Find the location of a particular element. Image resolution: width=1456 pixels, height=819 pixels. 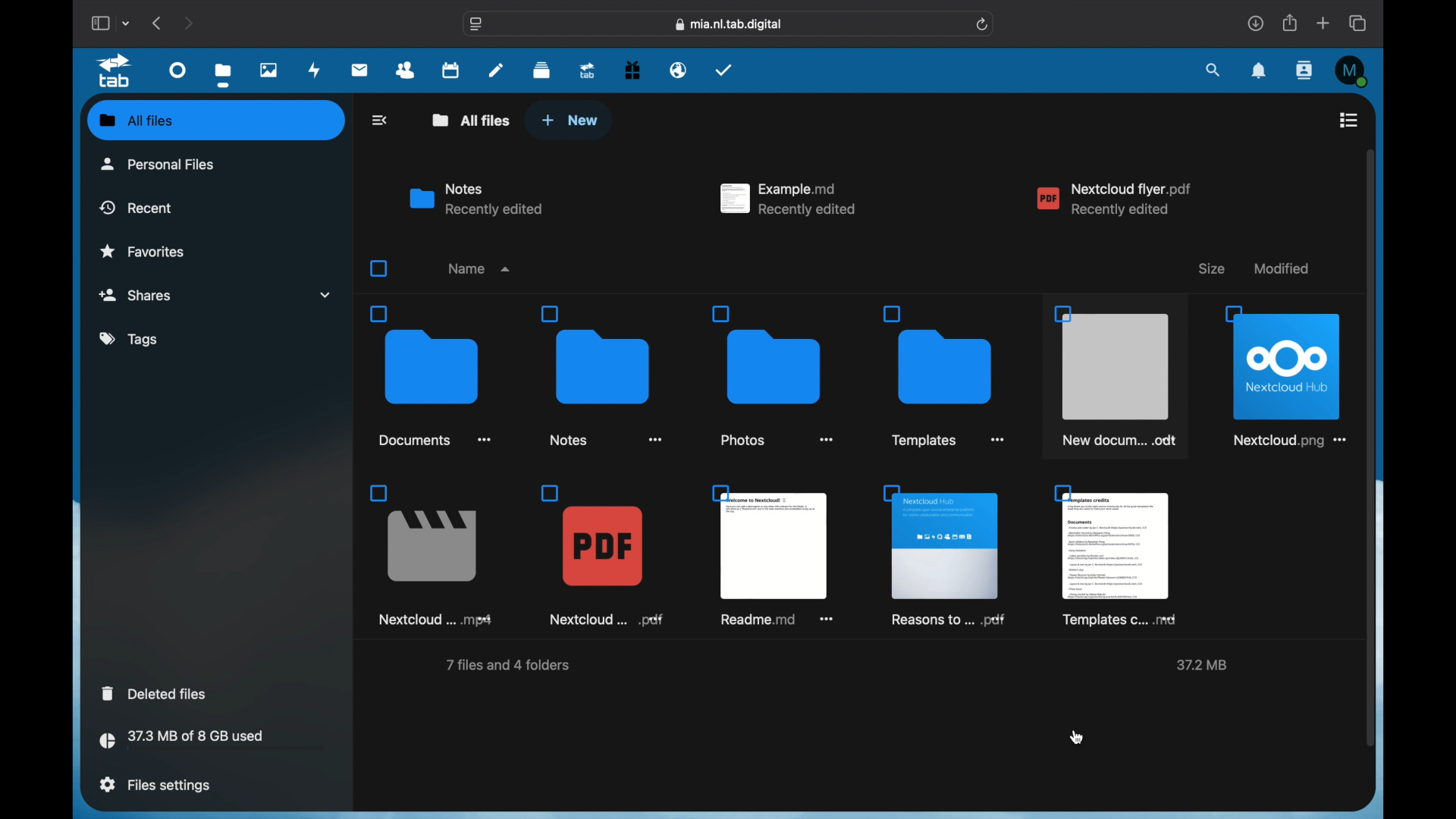

file is located at coordinates (943, 556).